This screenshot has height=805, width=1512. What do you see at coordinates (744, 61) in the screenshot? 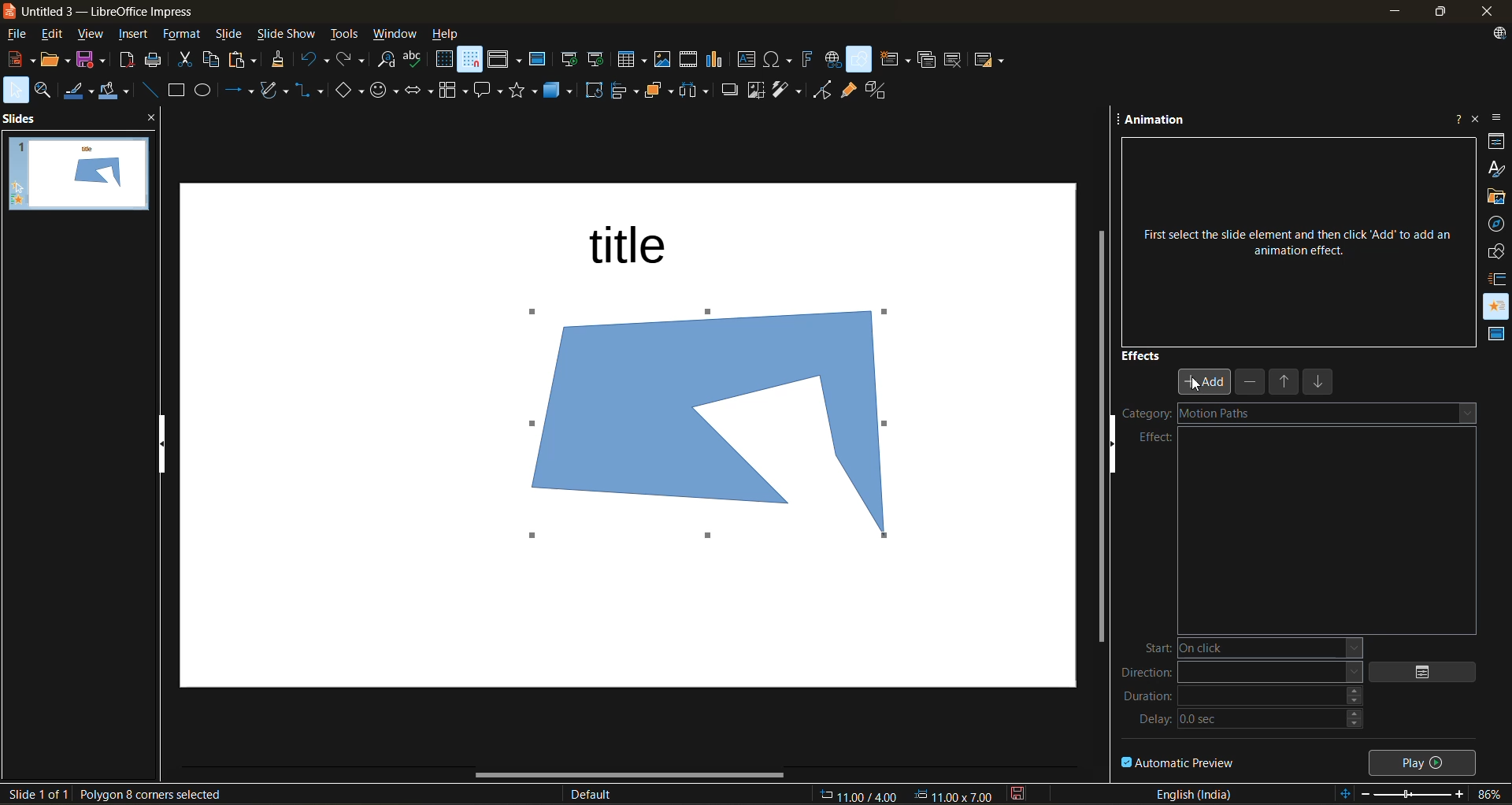
I see `insert textbox` at bounding box center [744, 61].